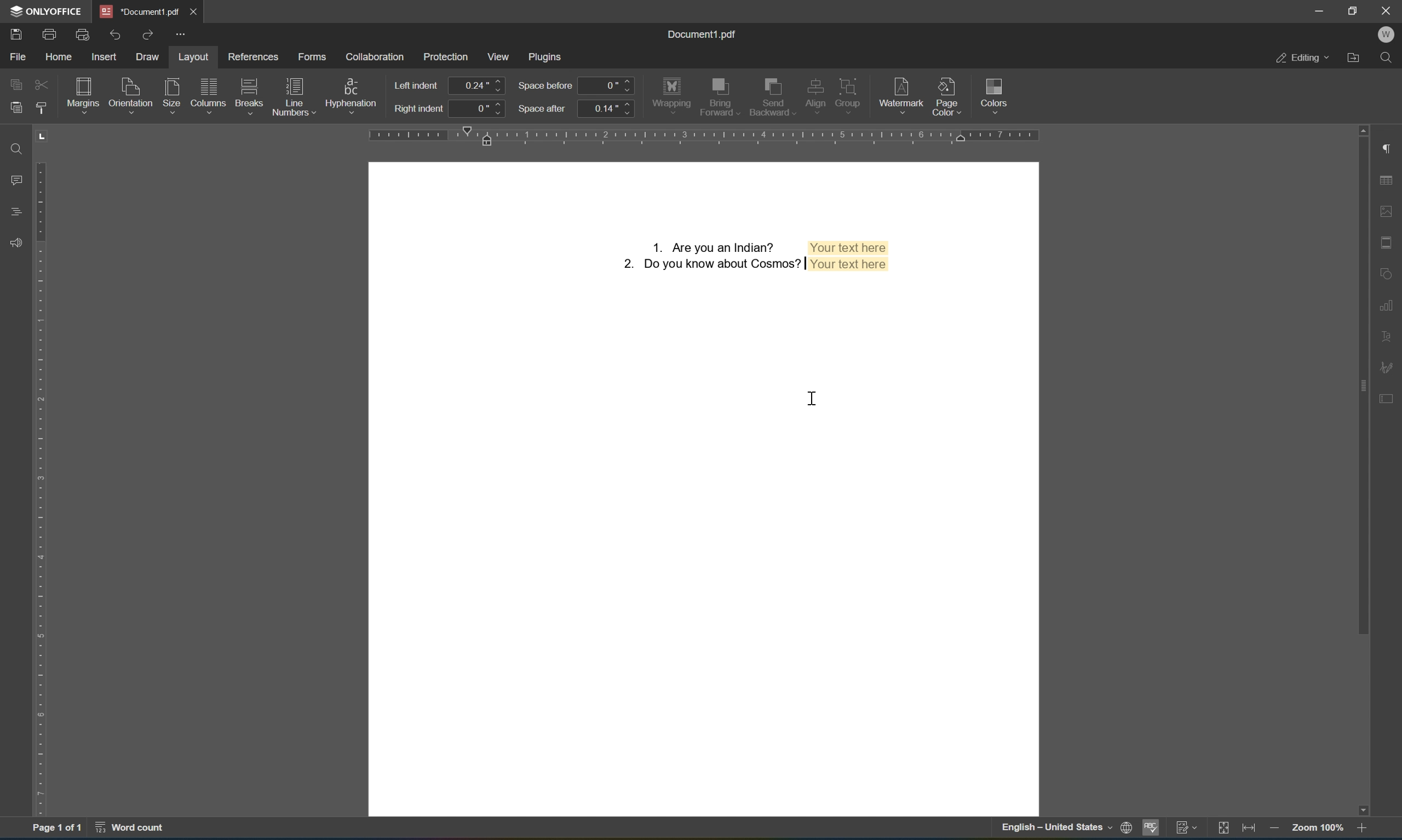 This screenshot has height=840, width=1402. Describe the element at coordinates (417, 85) in the screenshot. I see `left indent` at that location.